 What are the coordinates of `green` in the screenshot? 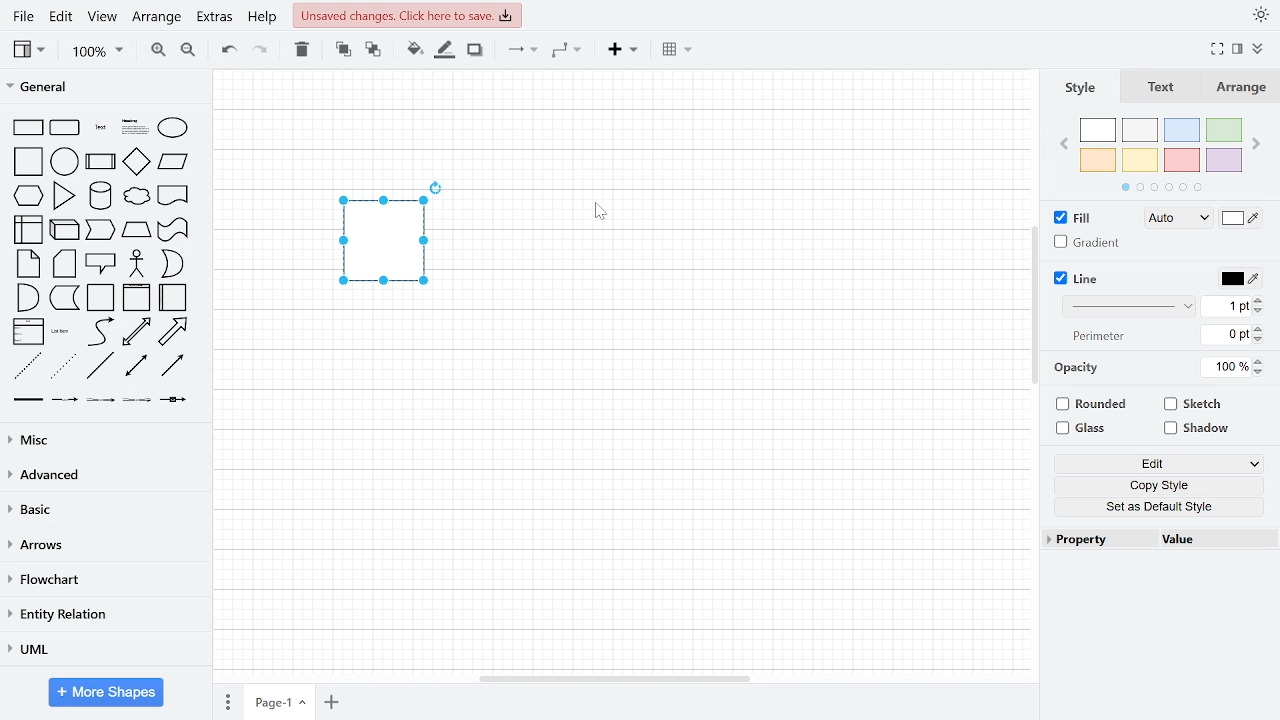 It's located at (1223, 131).